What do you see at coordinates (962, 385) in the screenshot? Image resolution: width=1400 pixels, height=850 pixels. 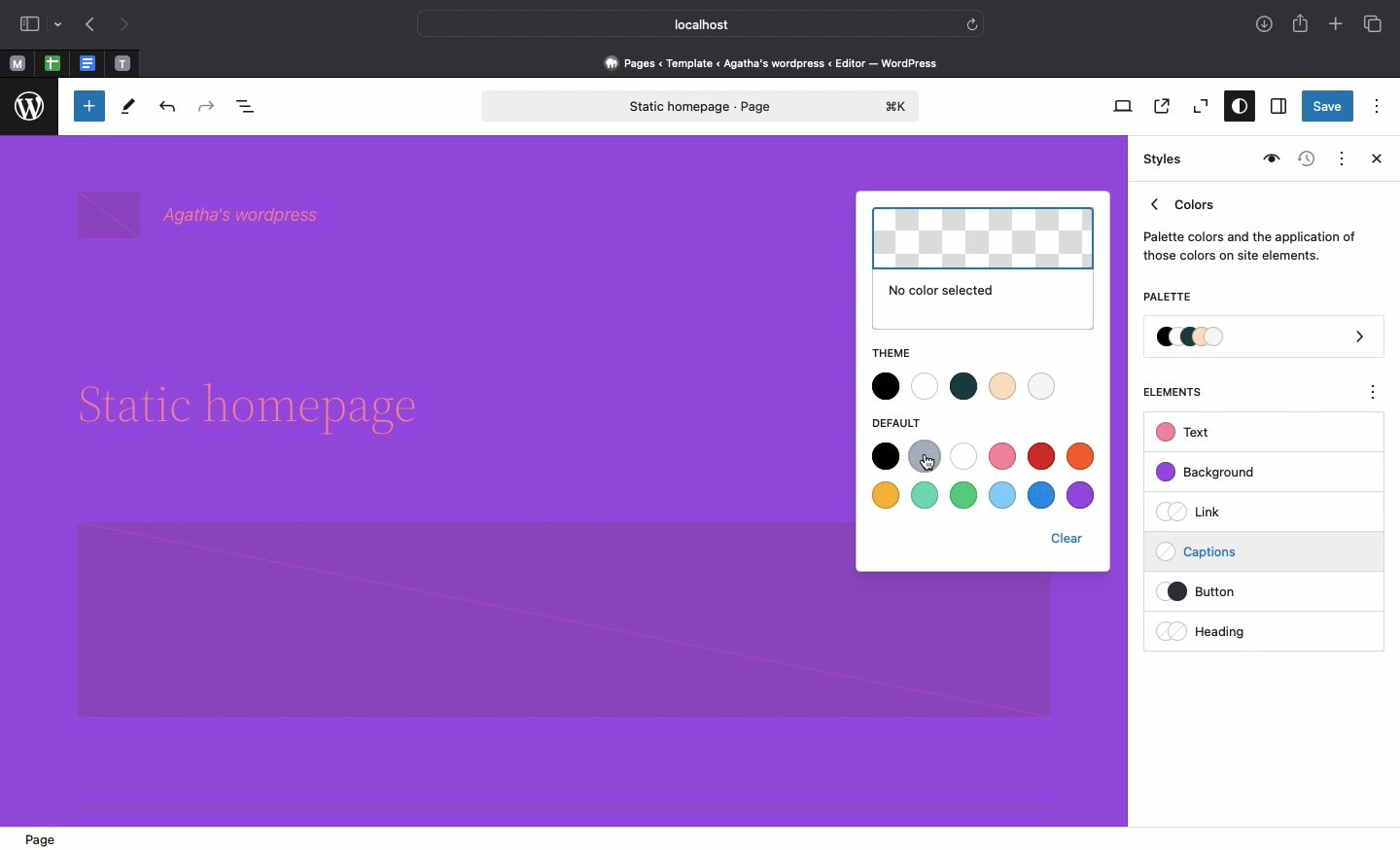 I see `Theme color` at bounding box center [962, 385].